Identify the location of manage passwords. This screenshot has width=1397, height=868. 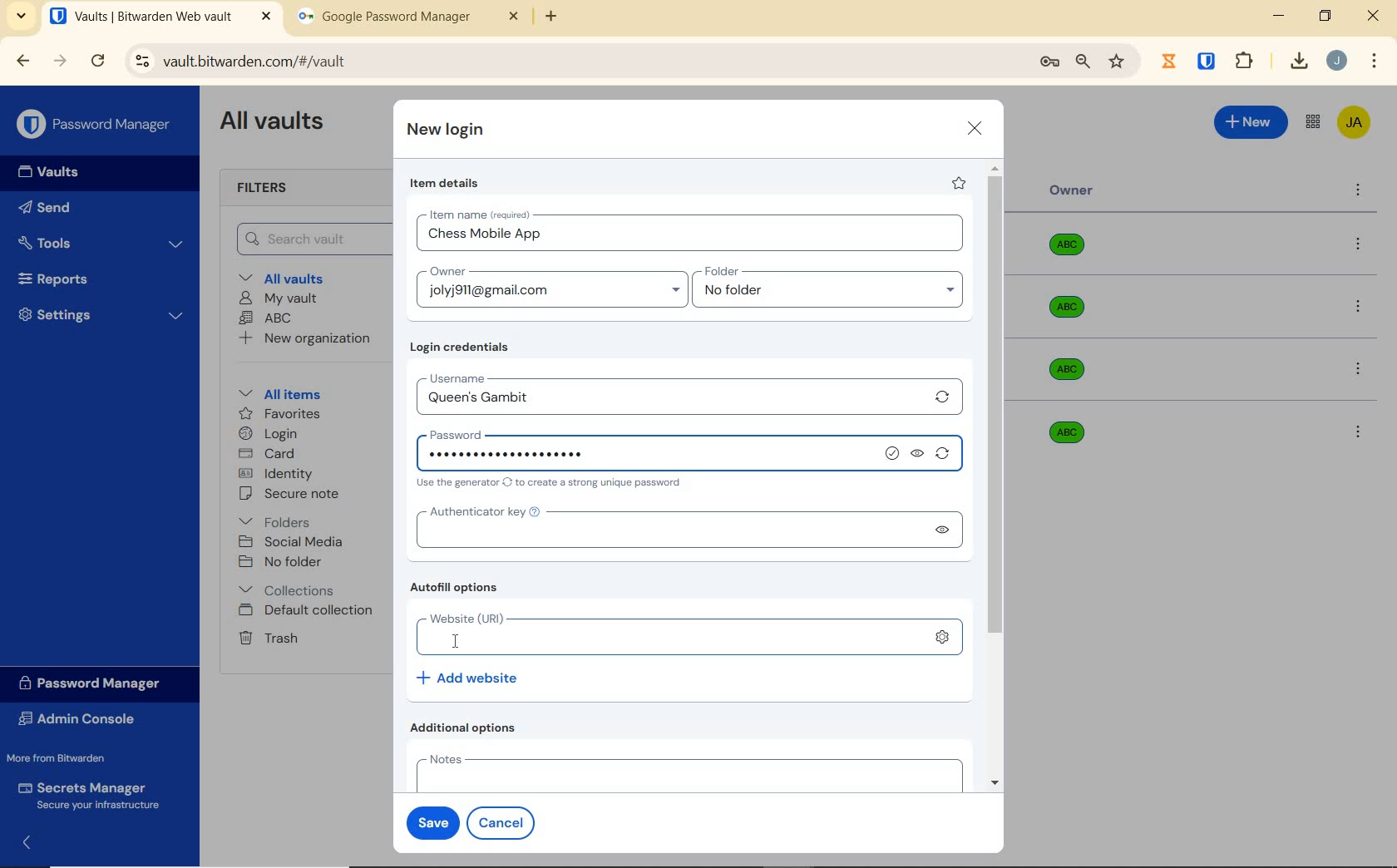
(1049, 62).